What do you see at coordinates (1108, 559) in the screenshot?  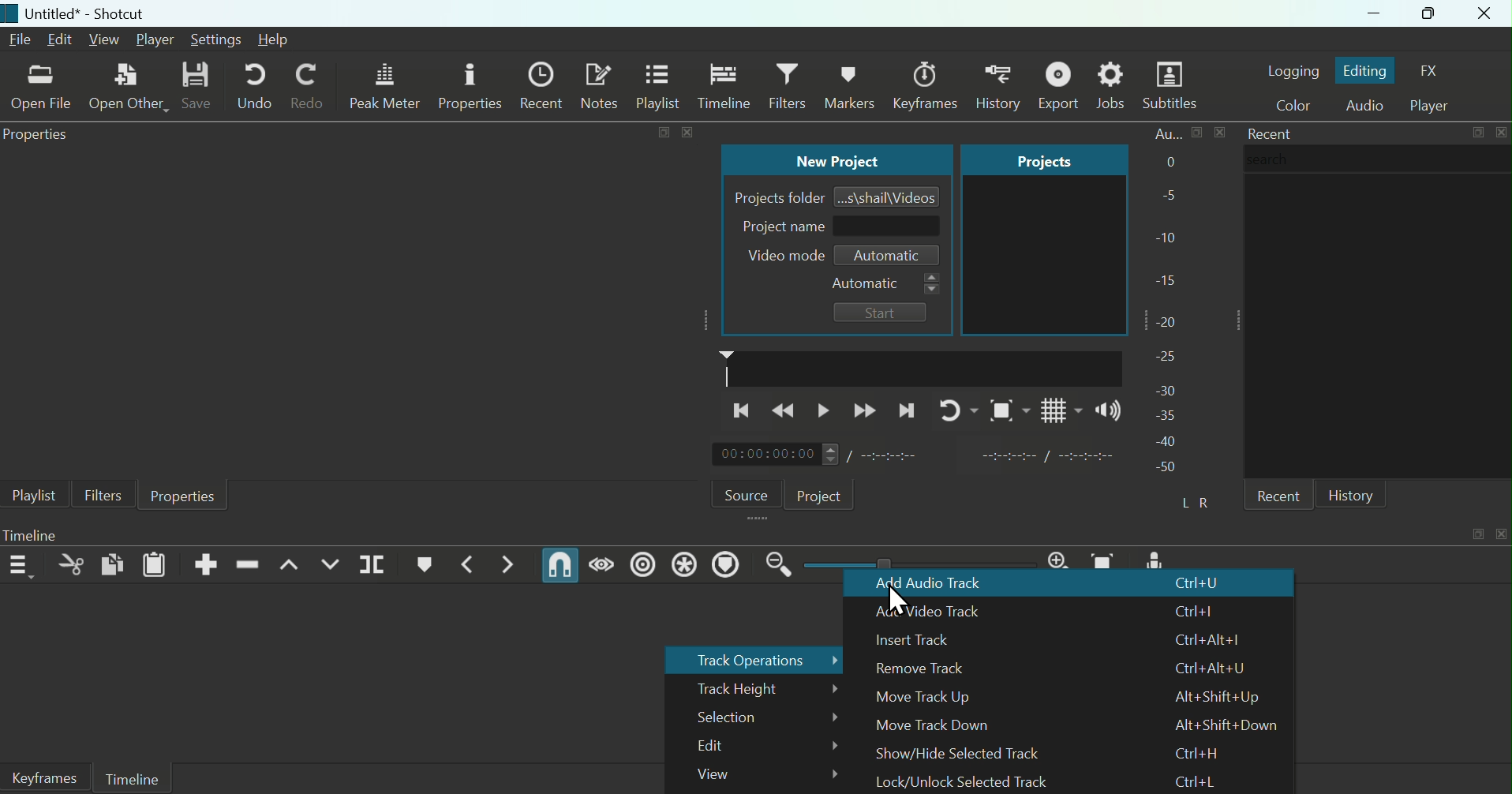 I see `Zoom Timeline to Fit` at bounding box center [1108, 559].